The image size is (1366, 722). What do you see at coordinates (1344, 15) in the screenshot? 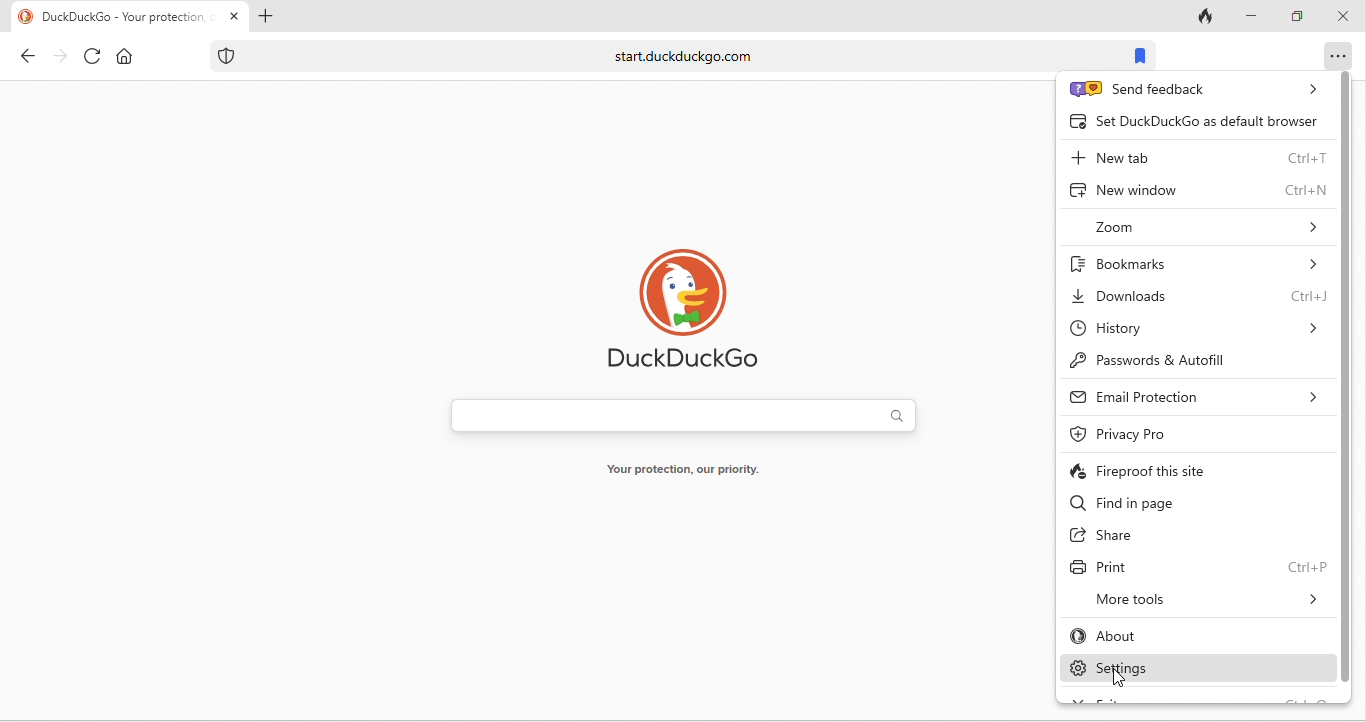
I see `close` at bounding box center [1344, 15].